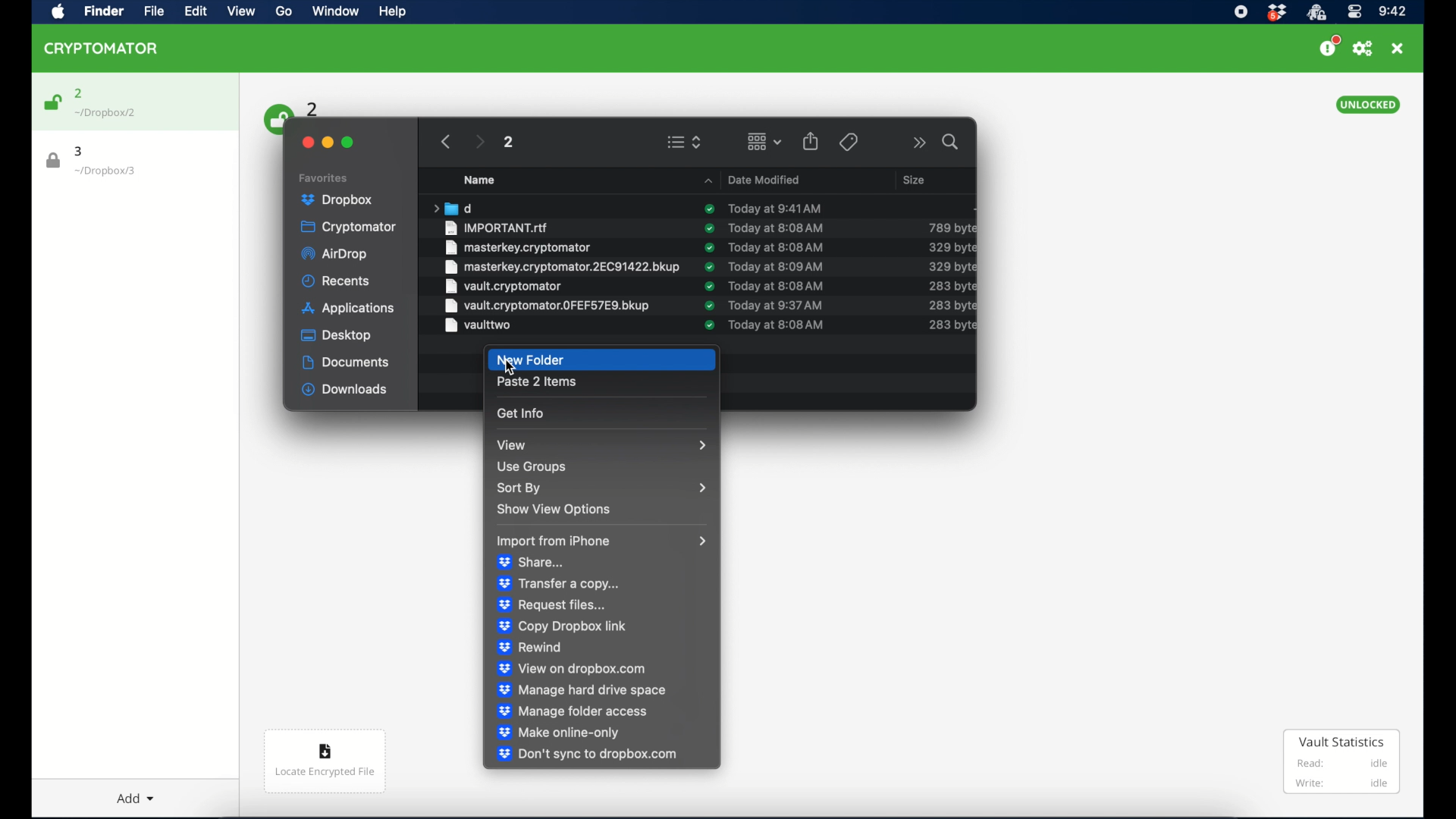 This screenshot has height=819, width=1456. What do you see at coordinates (710, 266) in the screenshot?
I see `sync` at bounding box center [710, 266].